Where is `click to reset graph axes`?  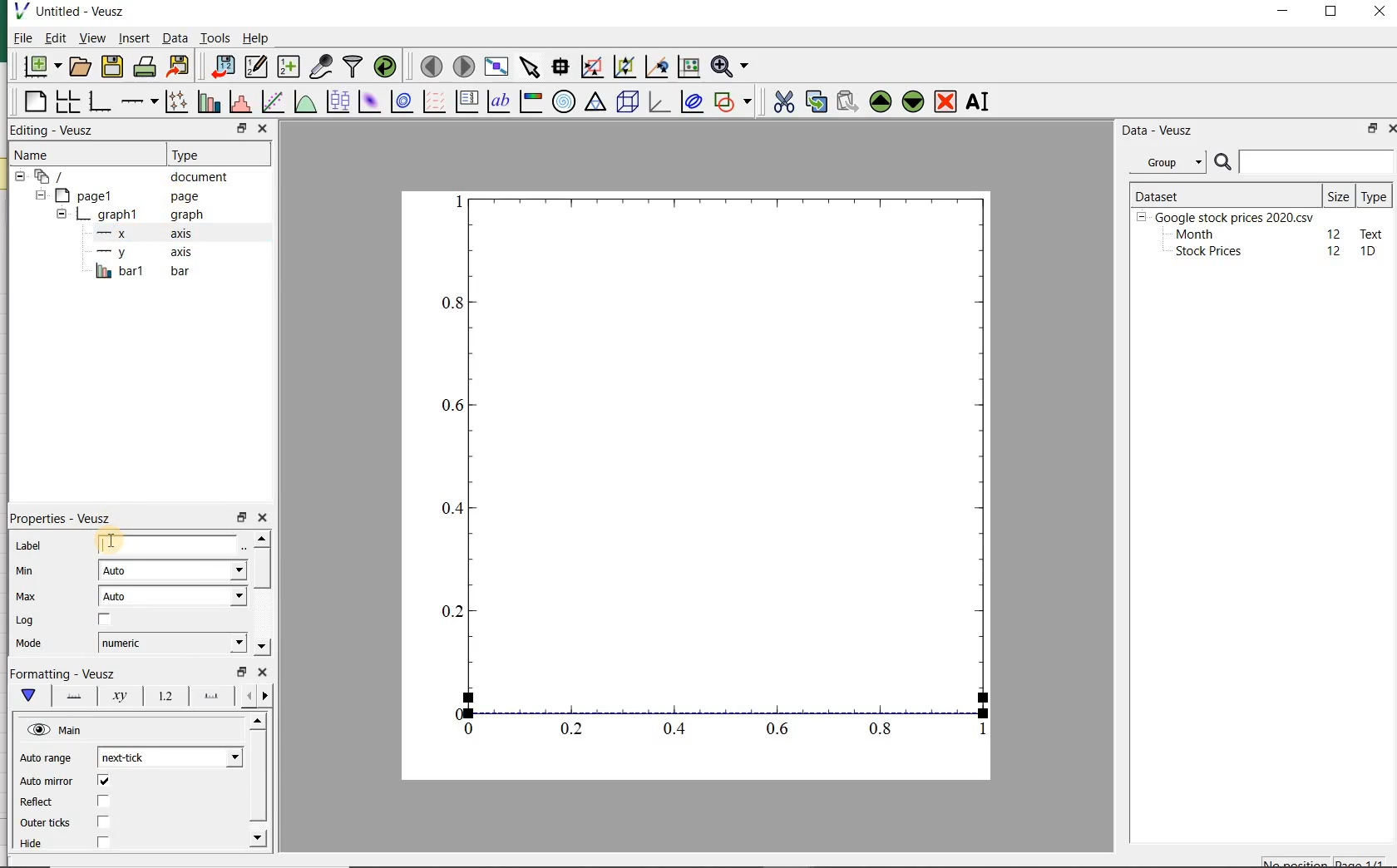
click to reset graph axes is located at coordinates (687, 67).